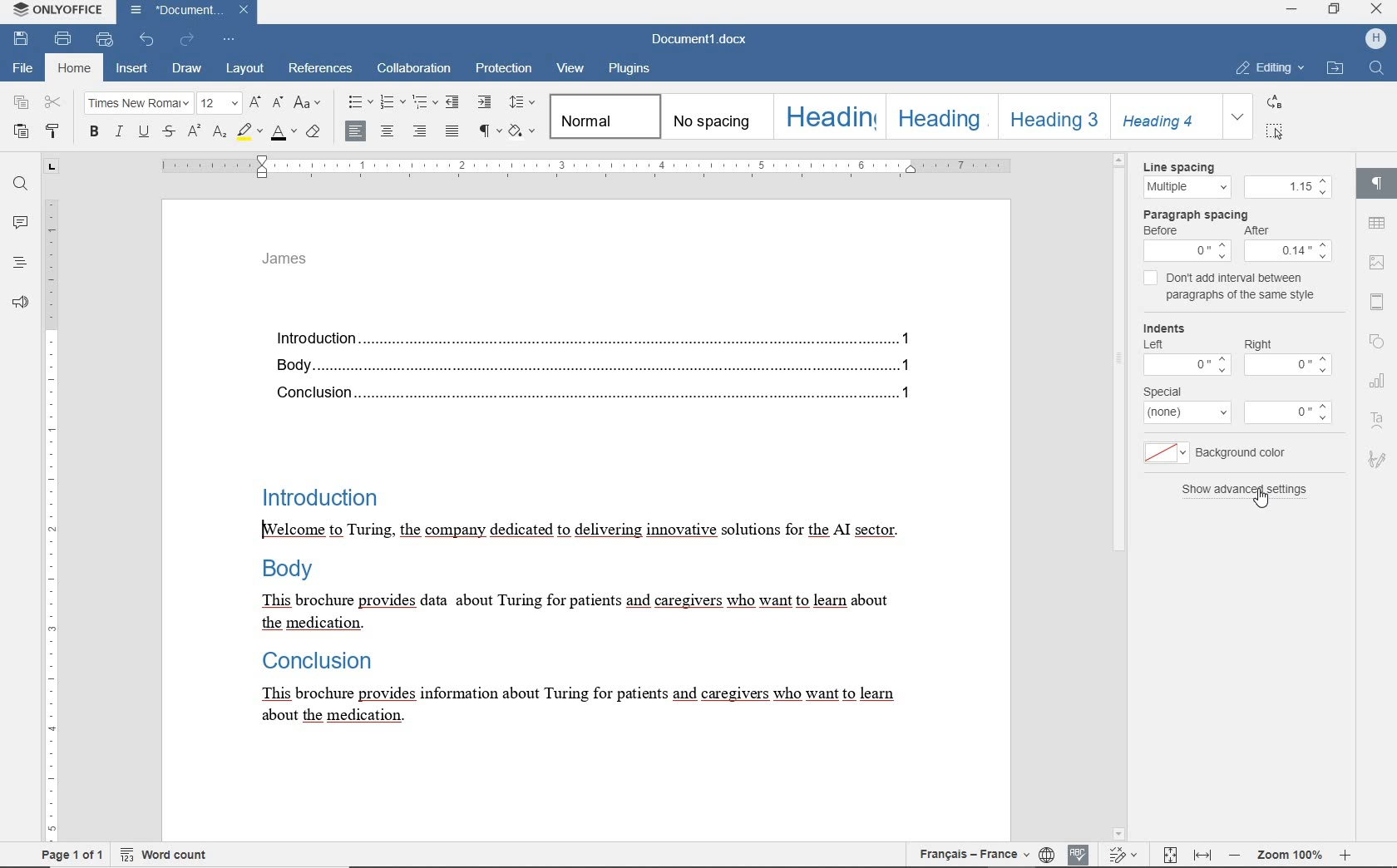  What do you see at coordinates (322, 69) in the screenshot?
I see `referenes` at bounding box center [322, 69].